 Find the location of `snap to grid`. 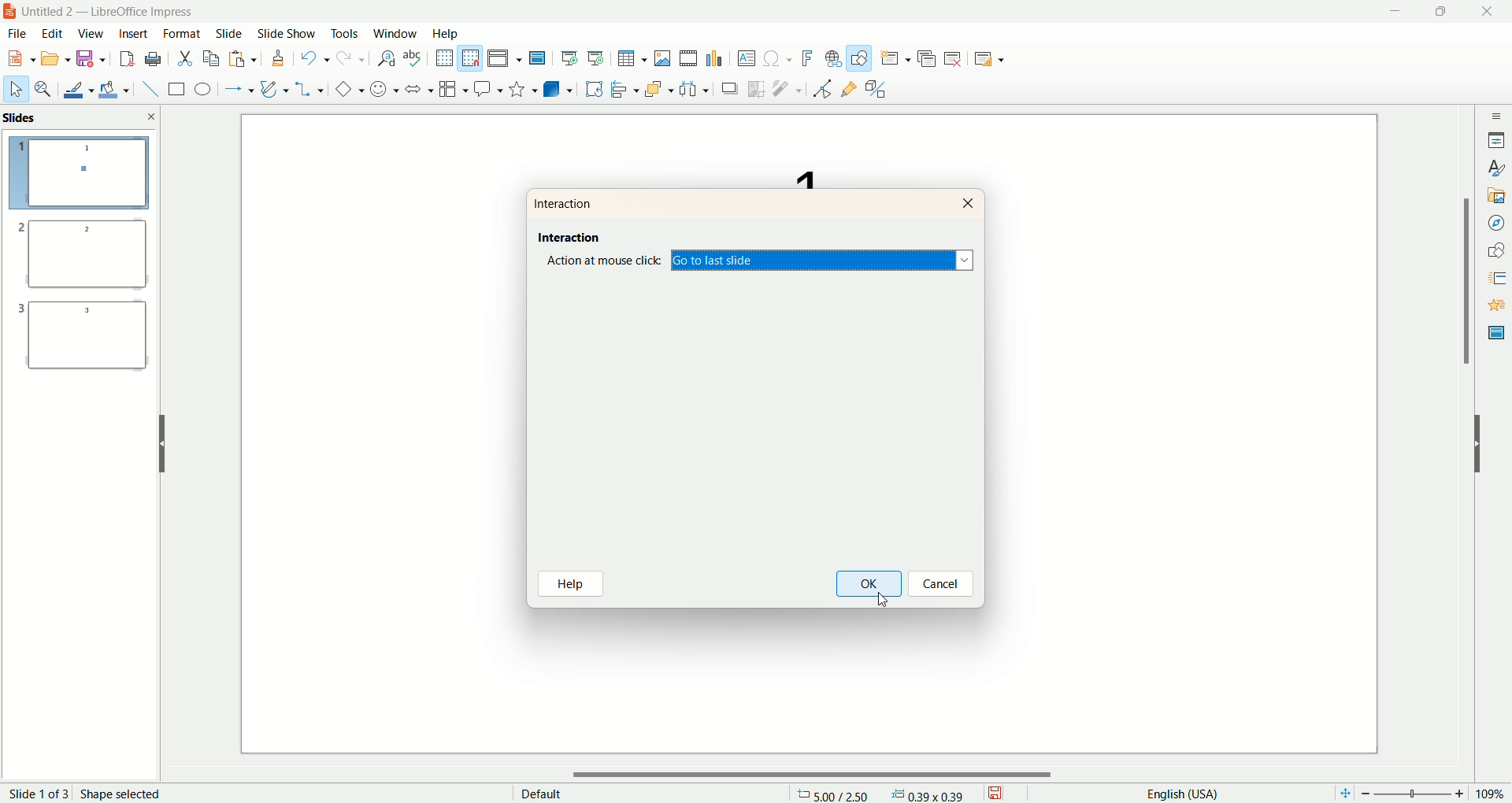

snap to grid is located at coordinates (472, 58).